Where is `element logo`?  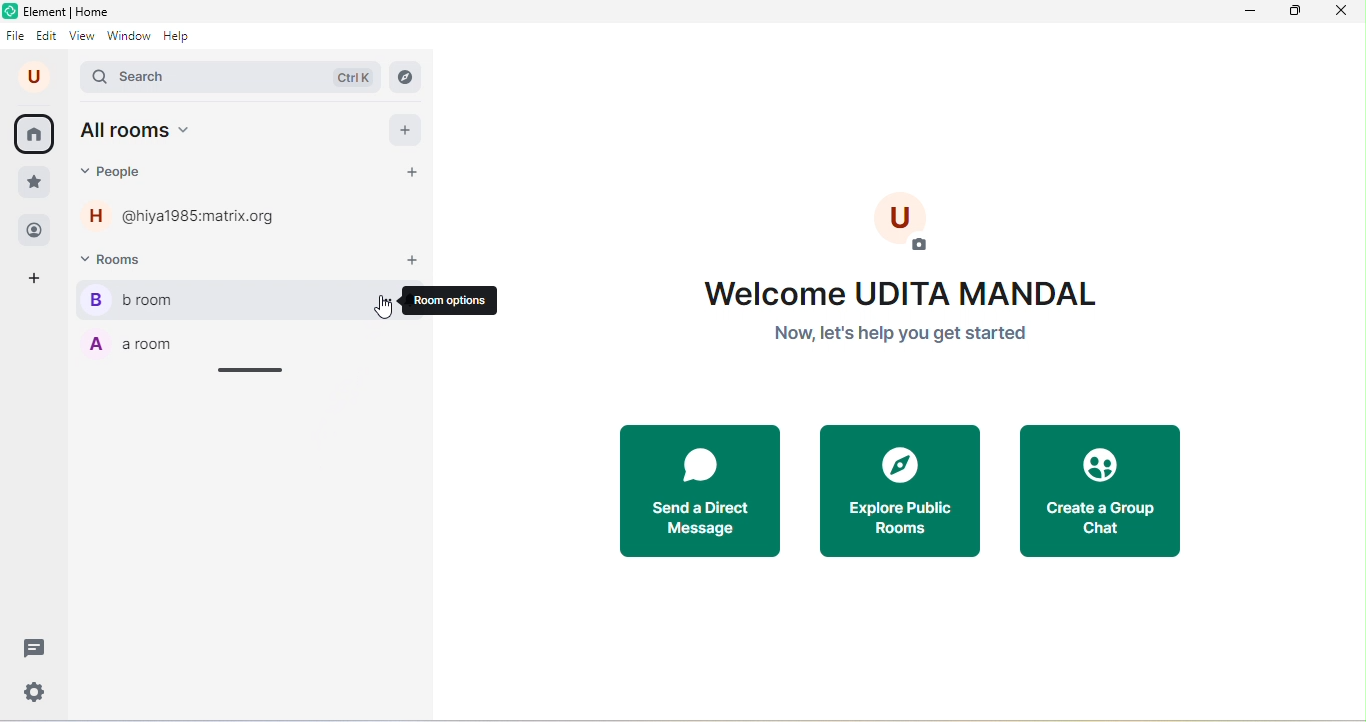 element logo is located at coordinates (10, 12).